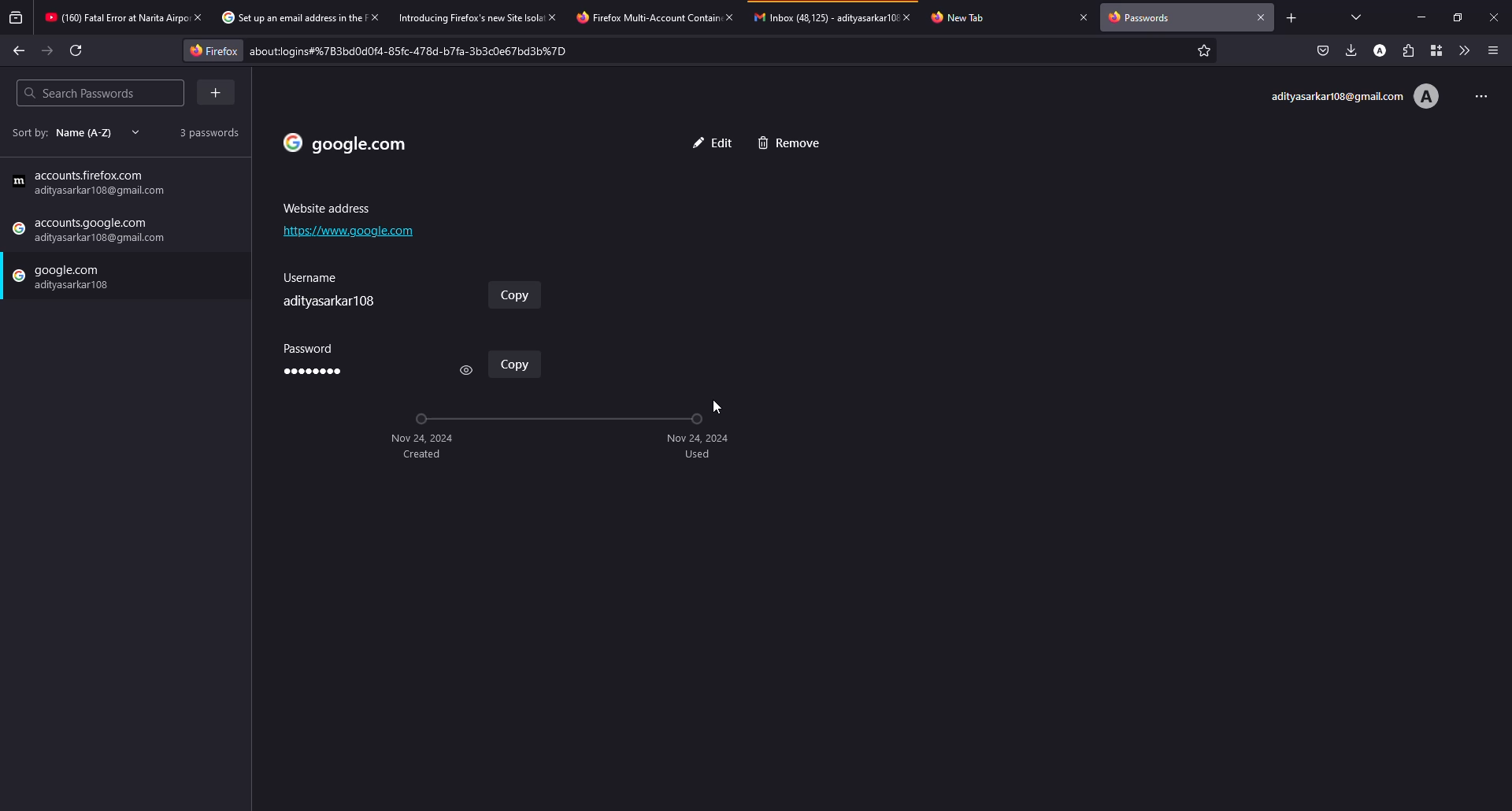  What do you see at coordinates (218, 92) in the screenshot?
I see `add more` at bounding box center [218, 92].